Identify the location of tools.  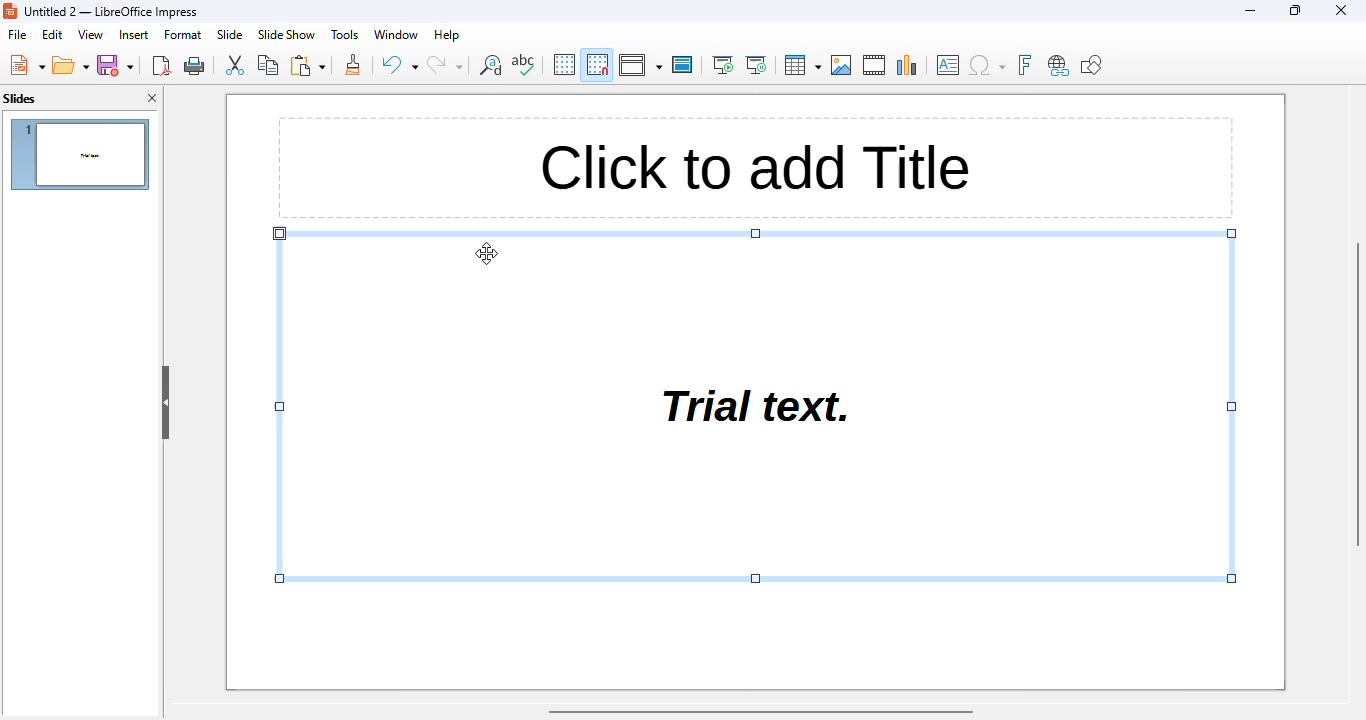
(343, 34).